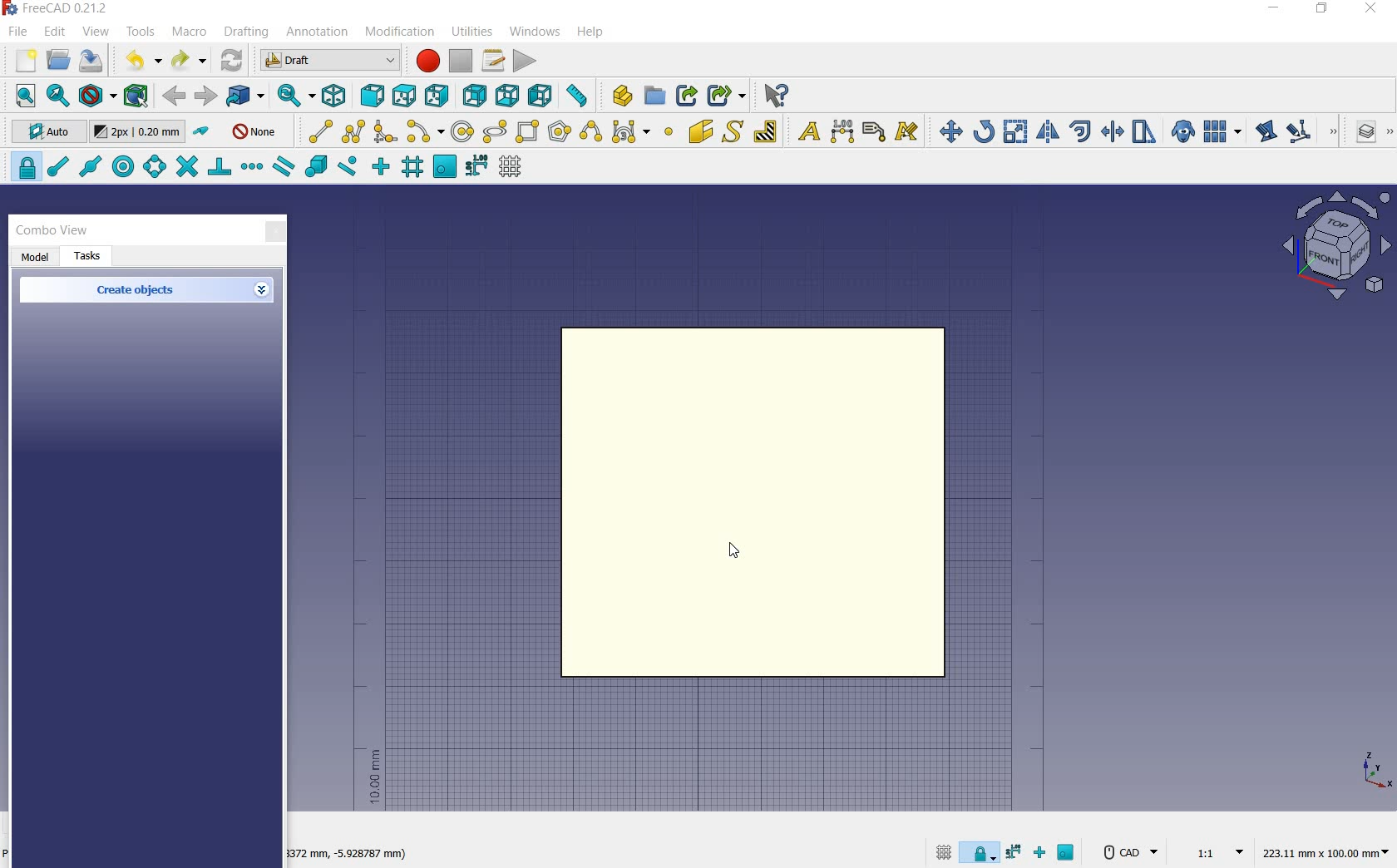  I want to click on refresh, so click(233, 58).